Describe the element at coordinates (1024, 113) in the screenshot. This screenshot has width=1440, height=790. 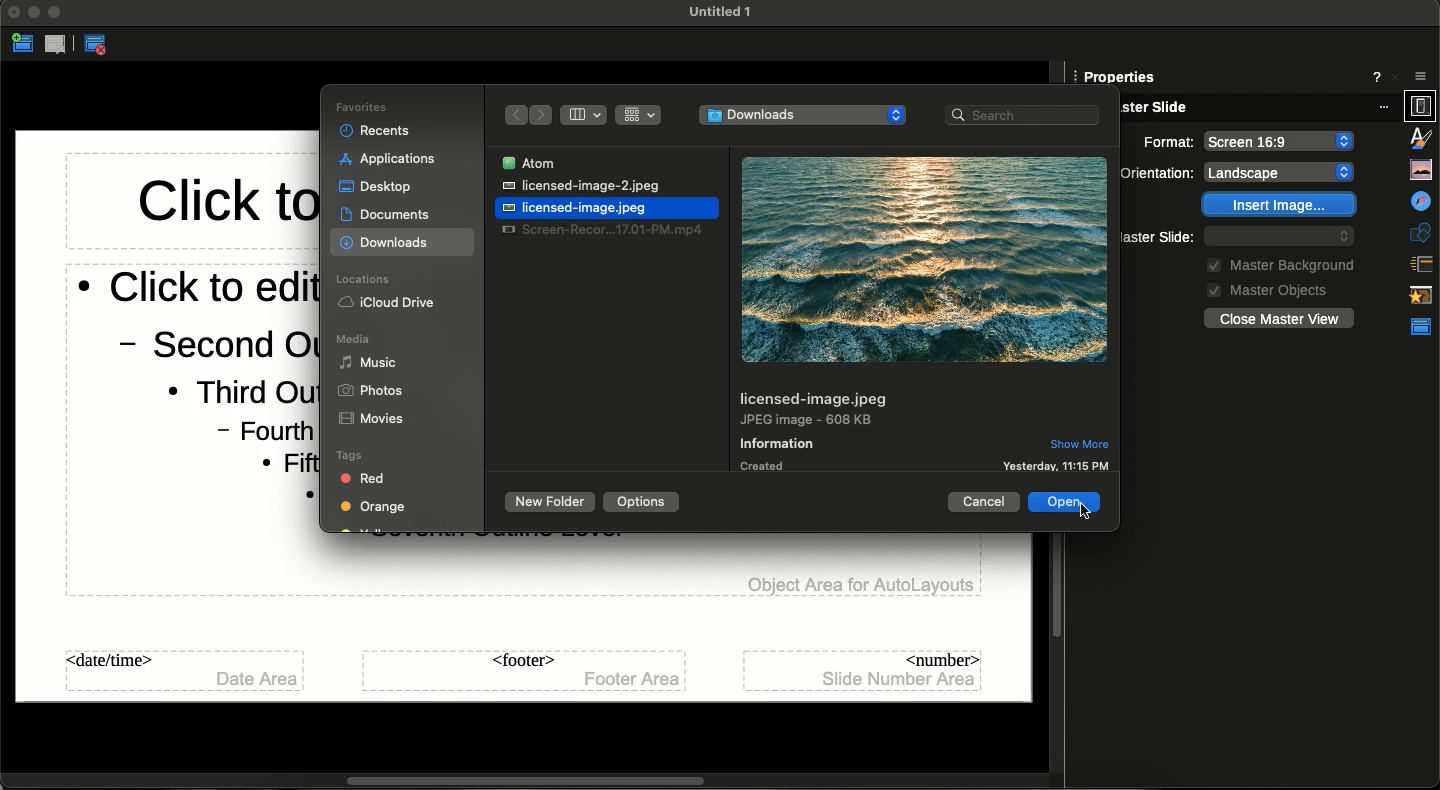
I see `Search` at that location.